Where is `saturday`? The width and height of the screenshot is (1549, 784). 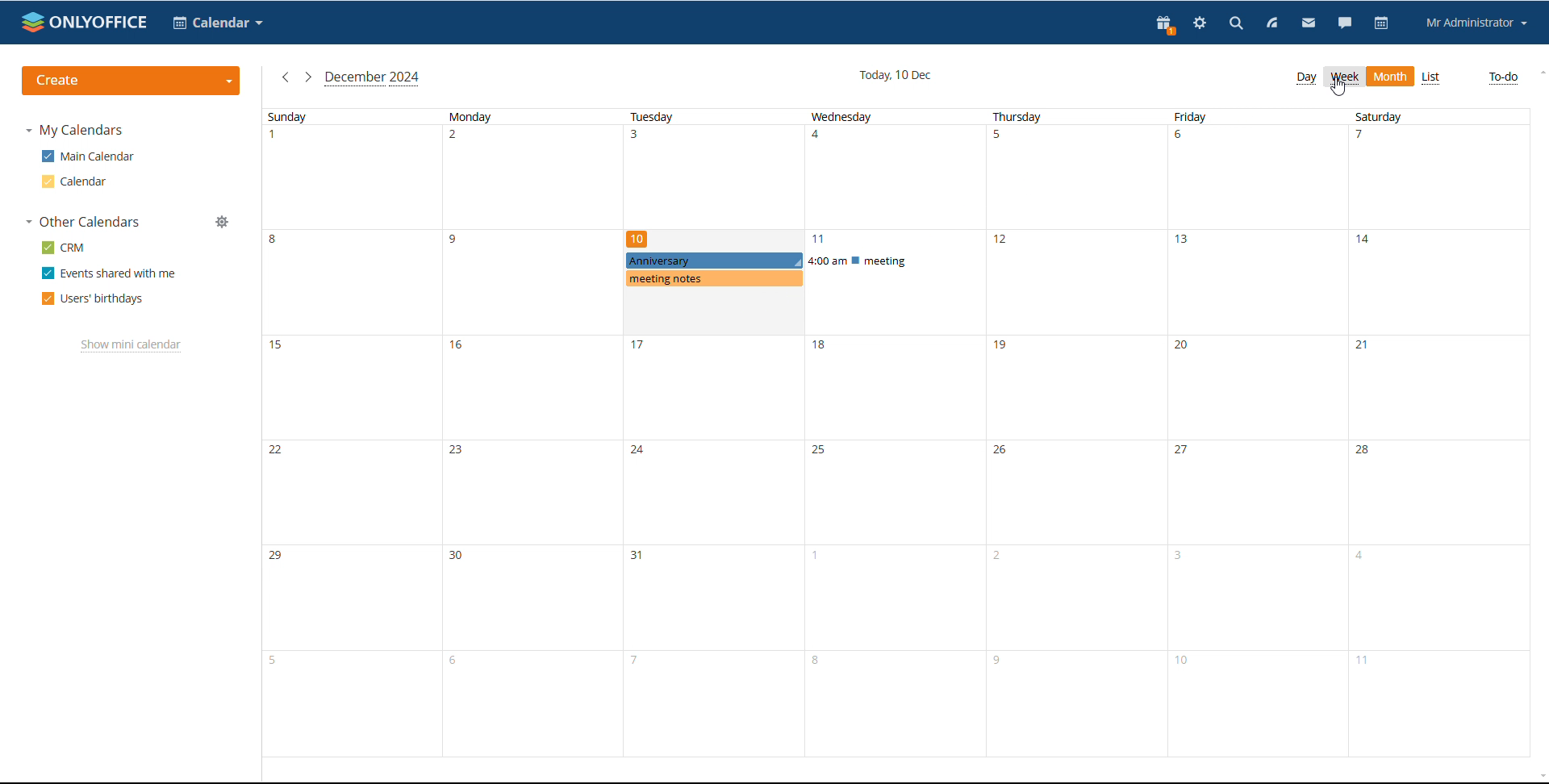 saturday is located at coordinates (1439, 432).